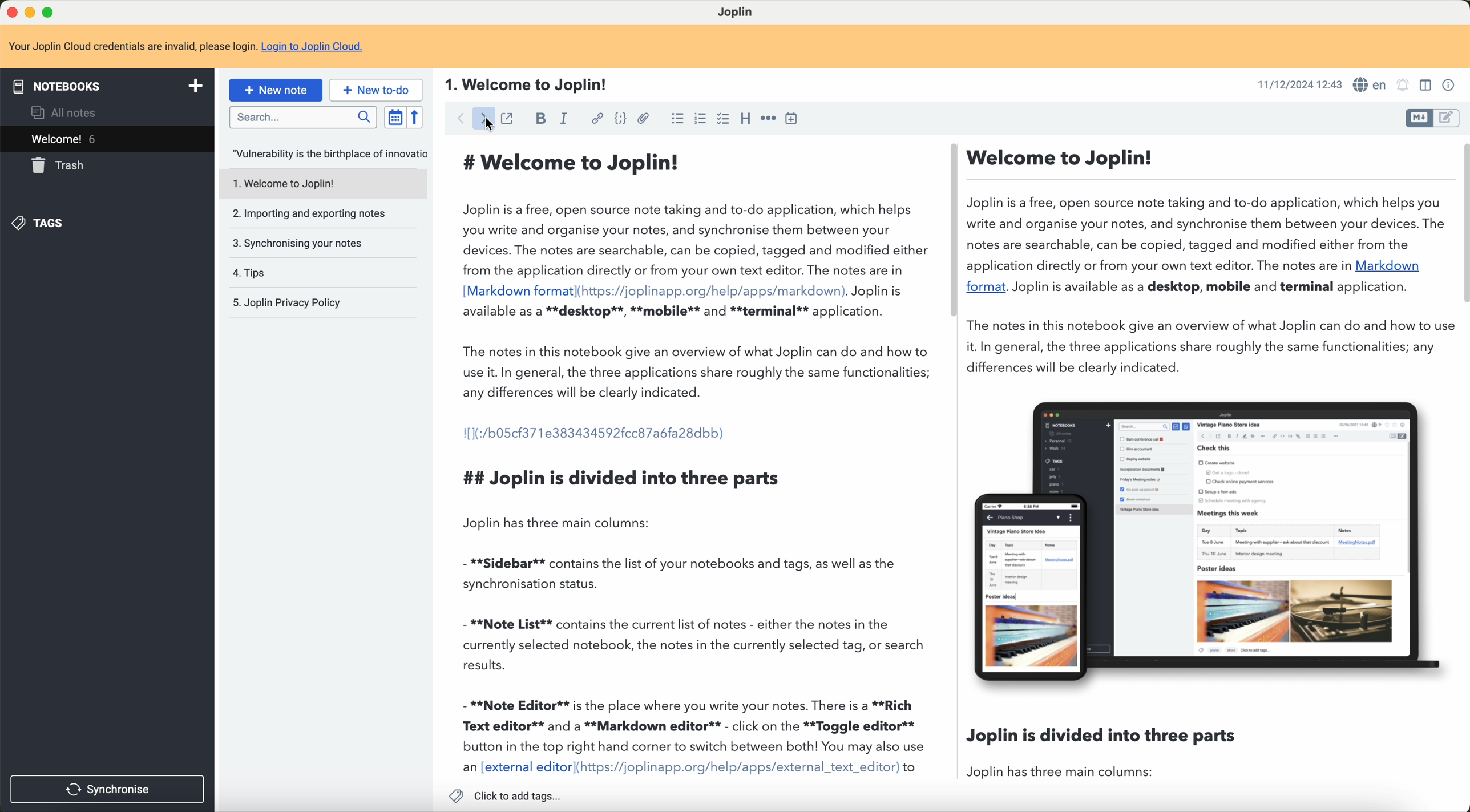 This screenshot has height=812, width=1470. Describe the element at coordinates (1066, 775) in the screenshot. I see `Joplin has three main columns:` at that location.